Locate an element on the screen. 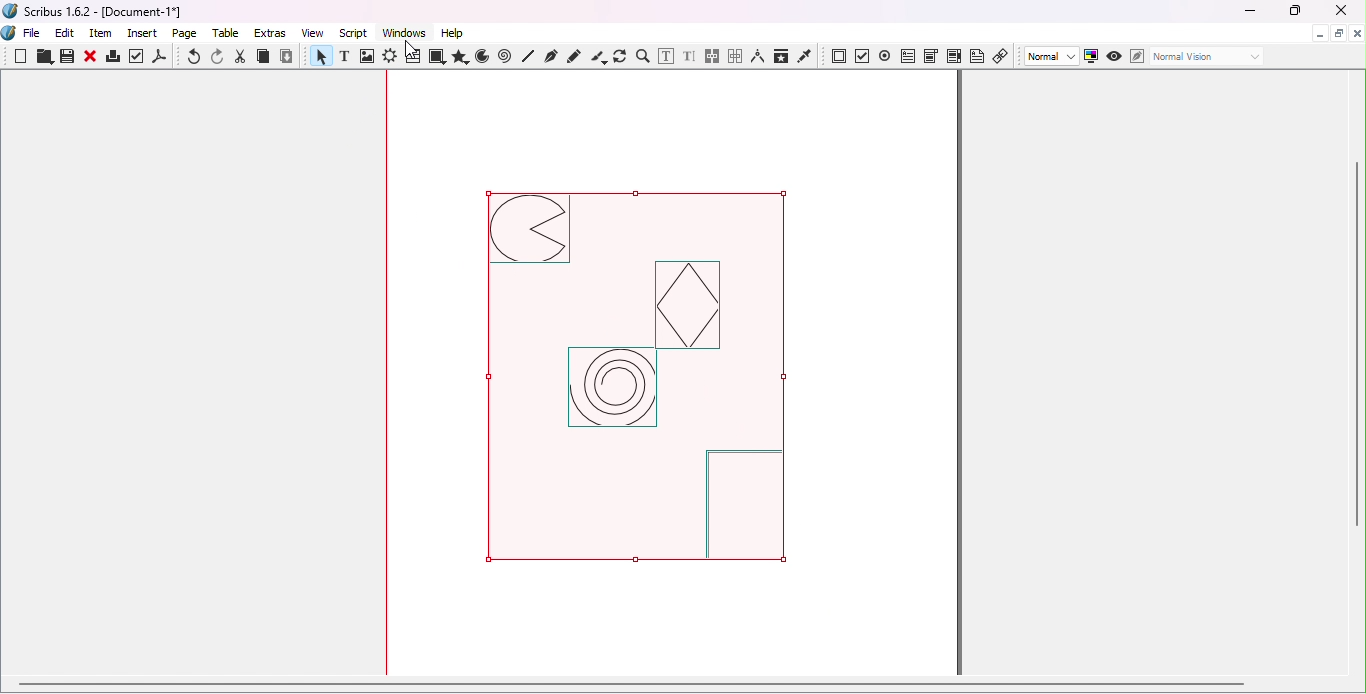  Page is located at coordinates (188, 35).